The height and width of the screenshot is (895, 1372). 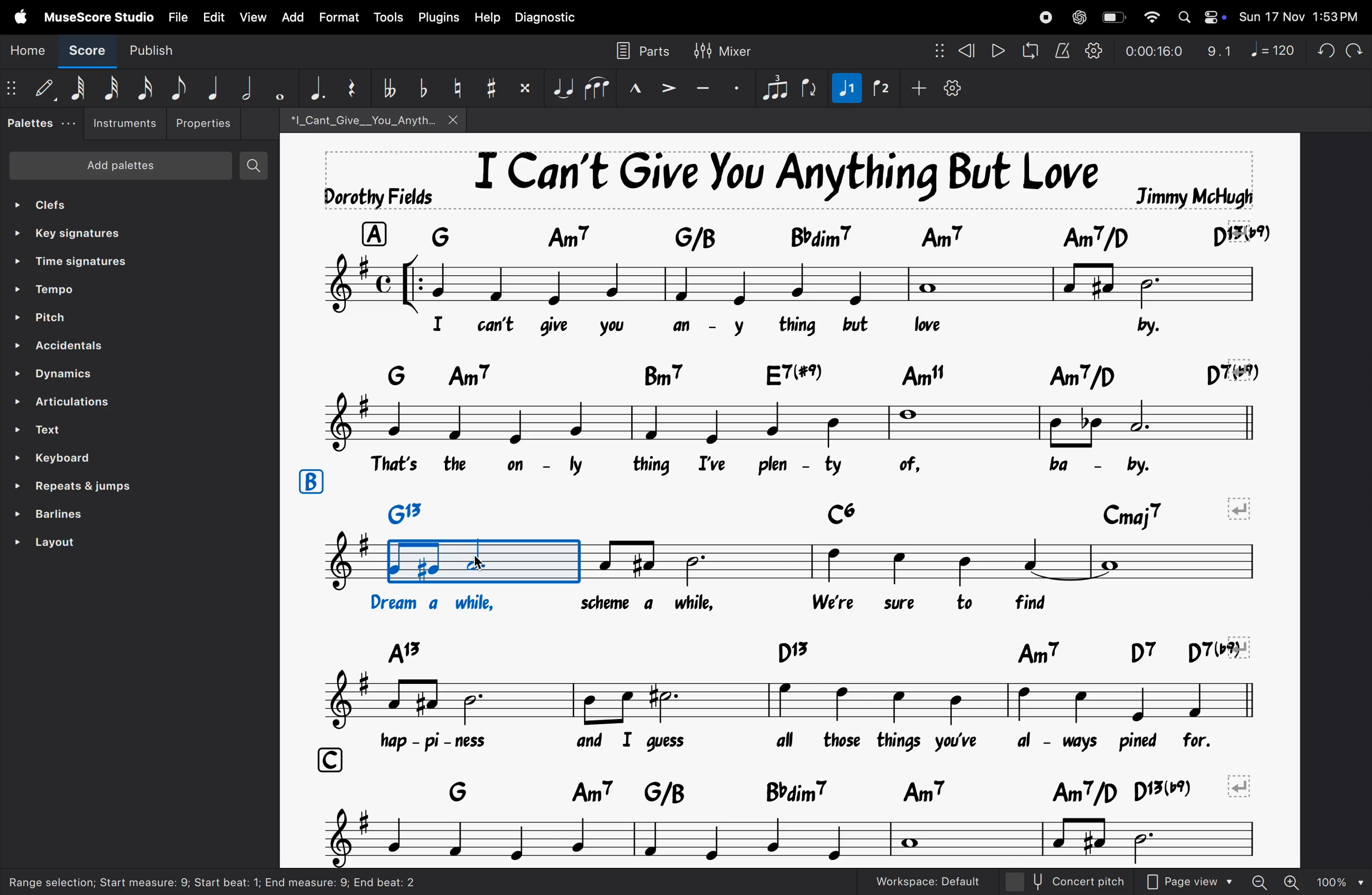 What do you see at coordinates (770, 329) in the screenshot?
I see `lyrics` at bounding box center [770, 329].